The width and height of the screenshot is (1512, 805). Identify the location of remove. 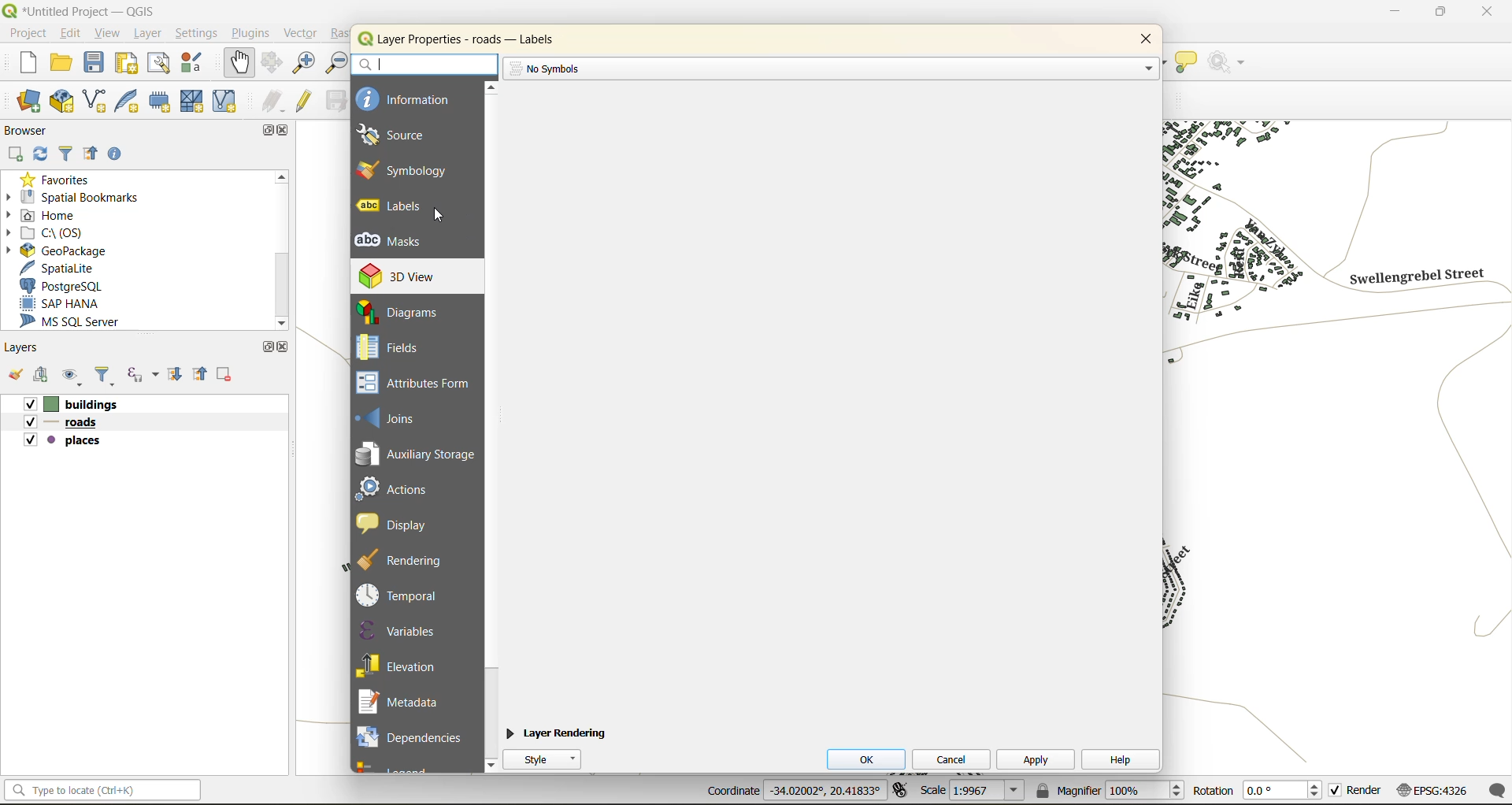
(223, 377).